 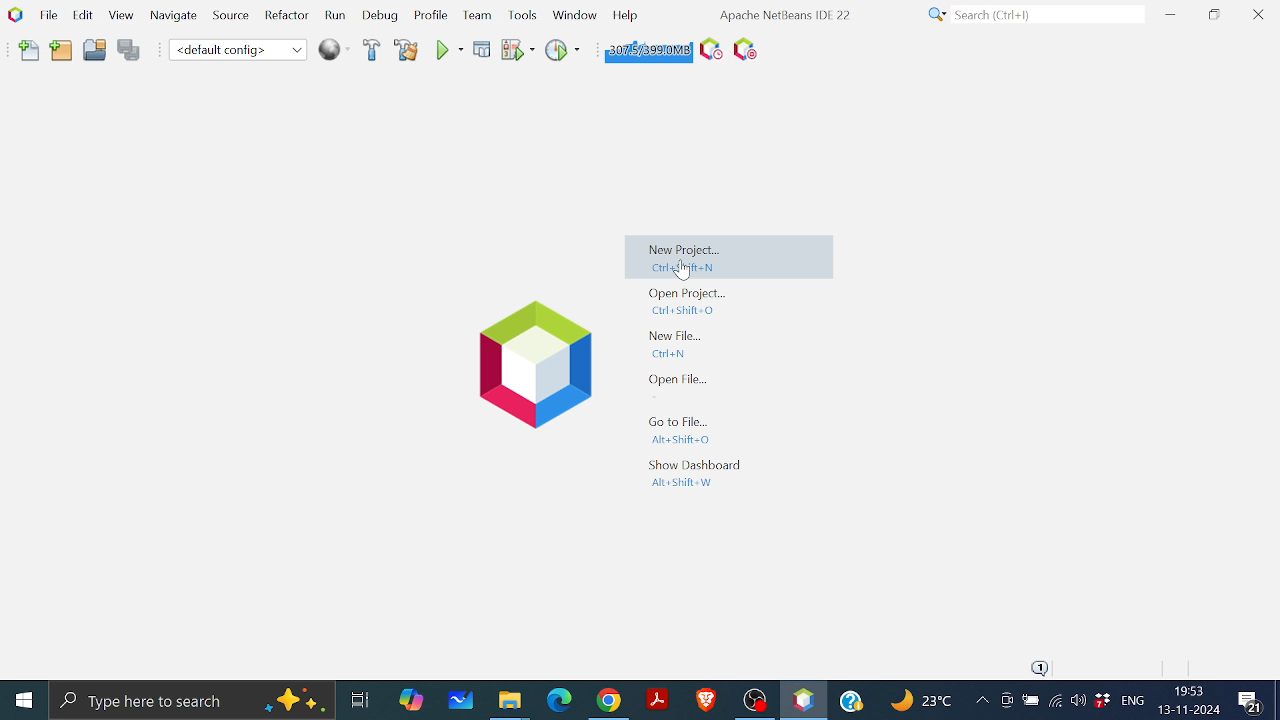 I want to click on notifications, so click(x=1042, y=668).